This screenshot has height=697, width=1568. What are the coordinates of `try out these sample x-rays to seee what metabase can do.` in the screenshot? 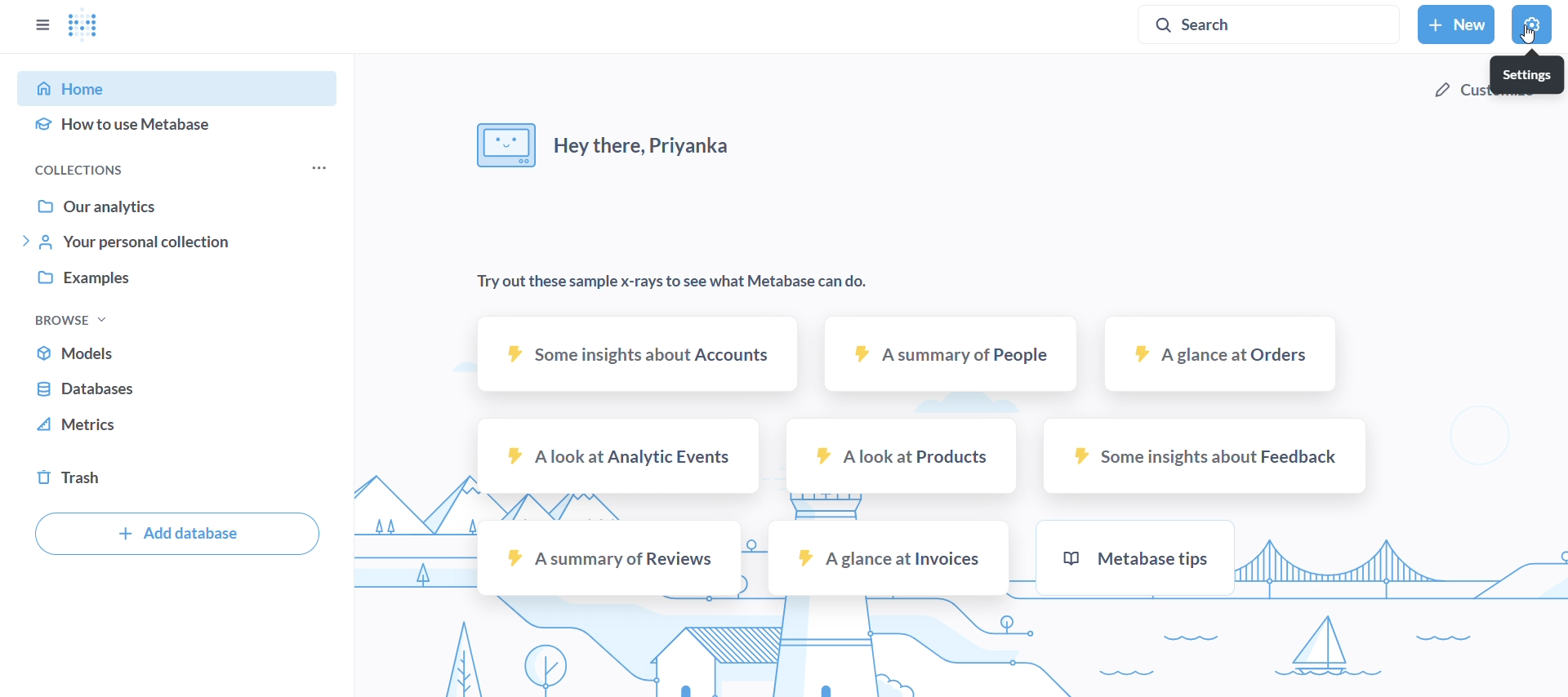 It's located at (667, 283).